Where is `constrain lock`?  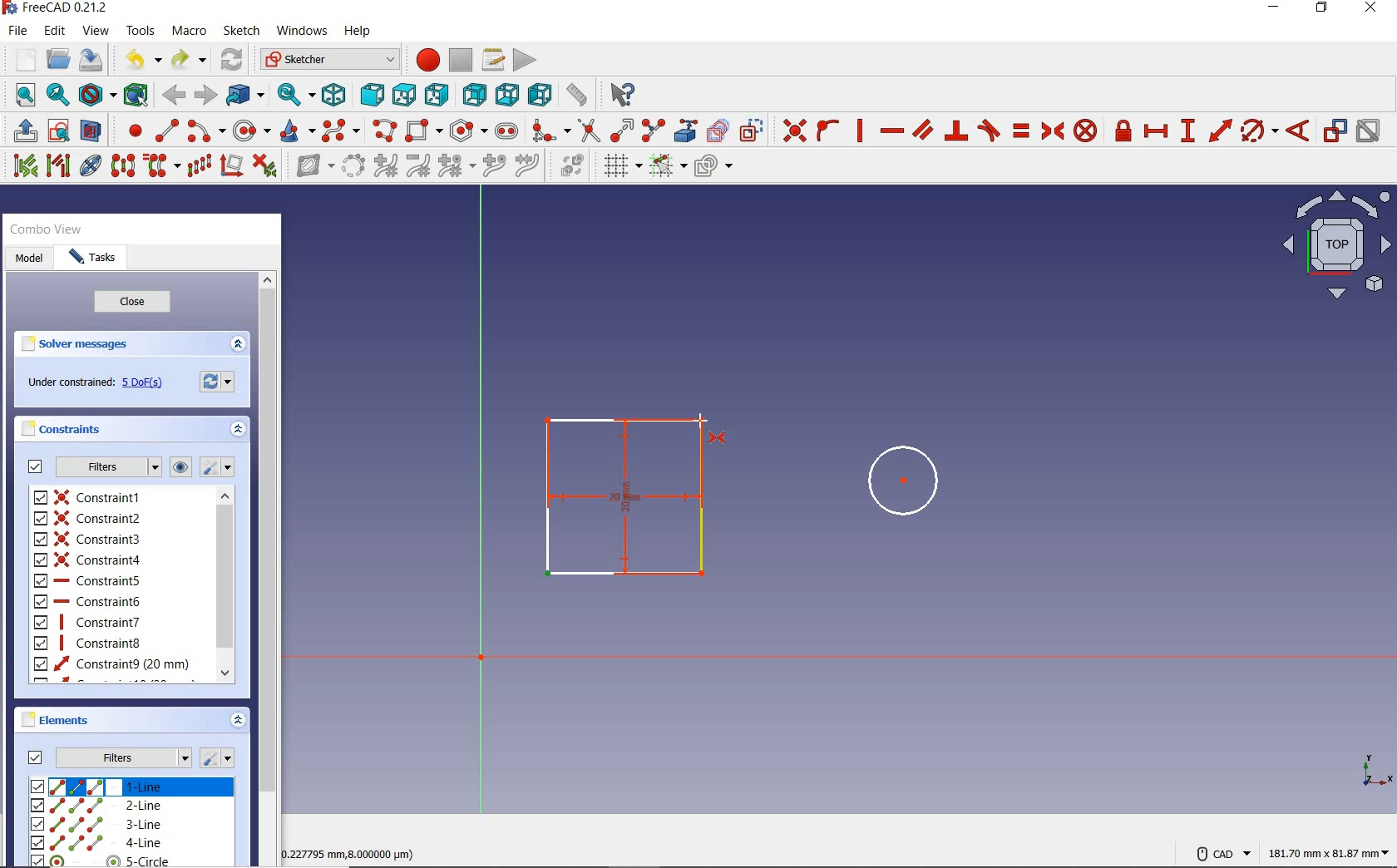 constrain lock is located at coordinates (1123, 131).